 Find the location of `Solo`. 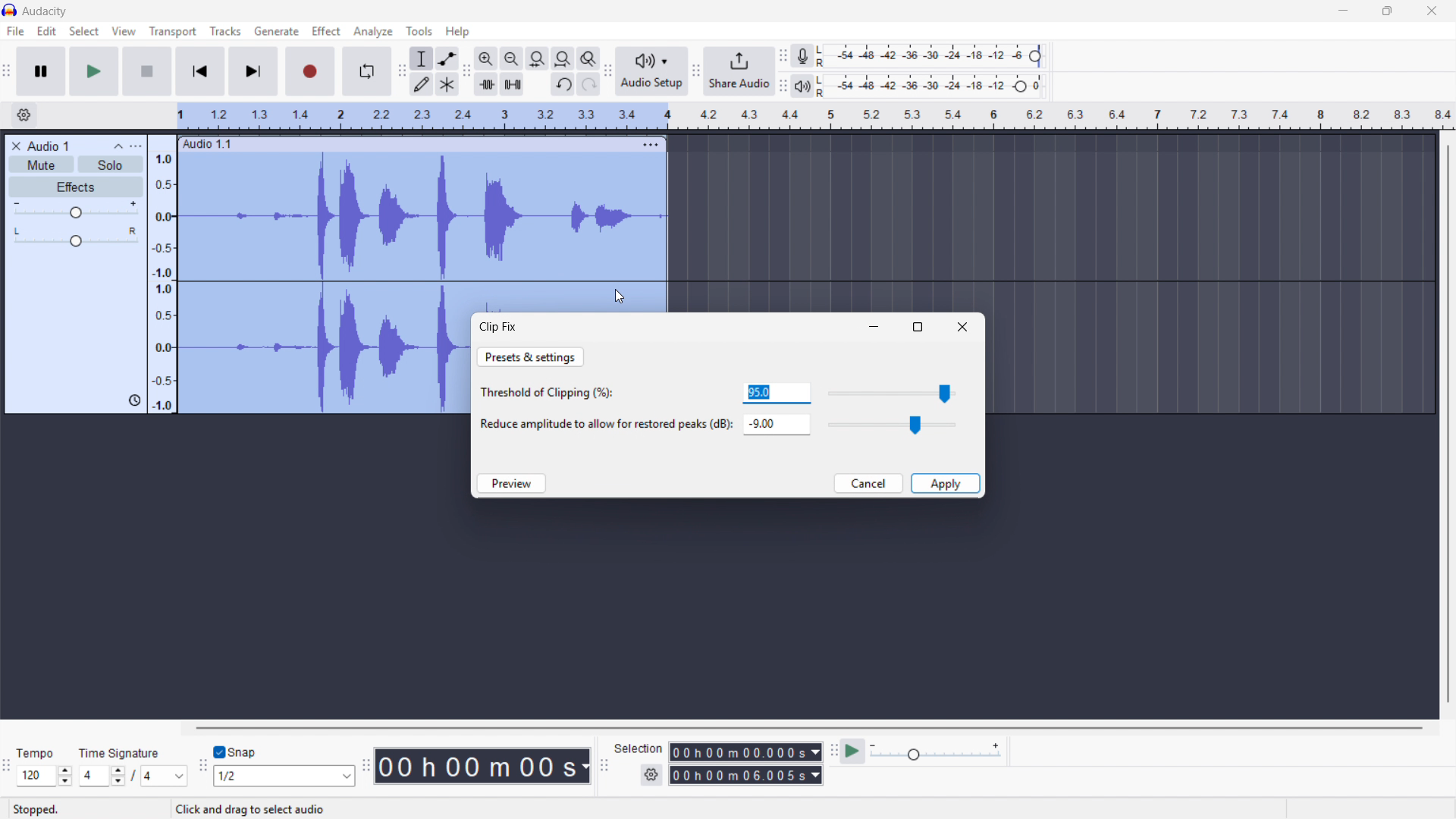

Solo is located at coordinates (111, 164).